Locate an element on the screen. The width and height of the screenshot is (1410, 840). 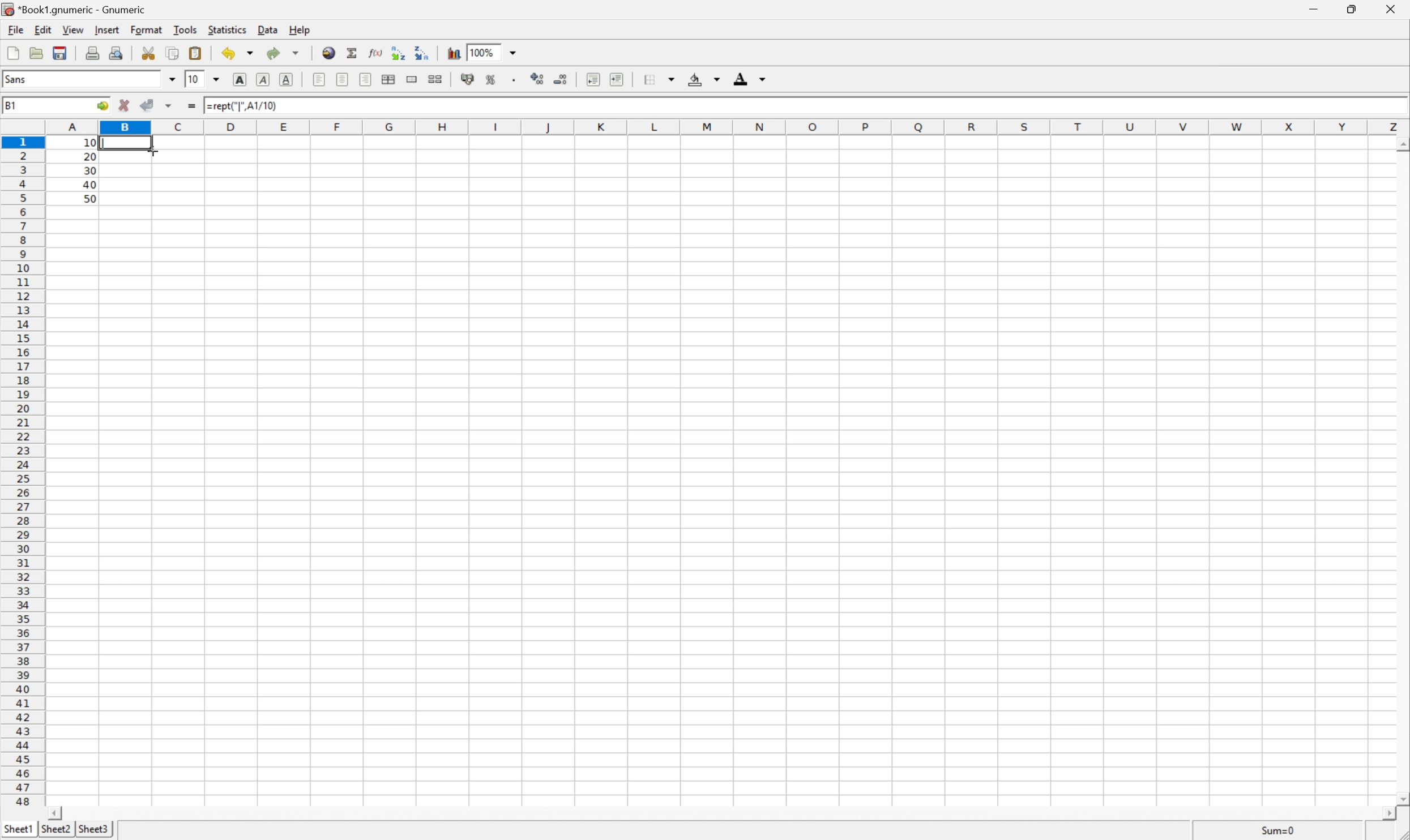
Tools is located at coordinates (184, 29).